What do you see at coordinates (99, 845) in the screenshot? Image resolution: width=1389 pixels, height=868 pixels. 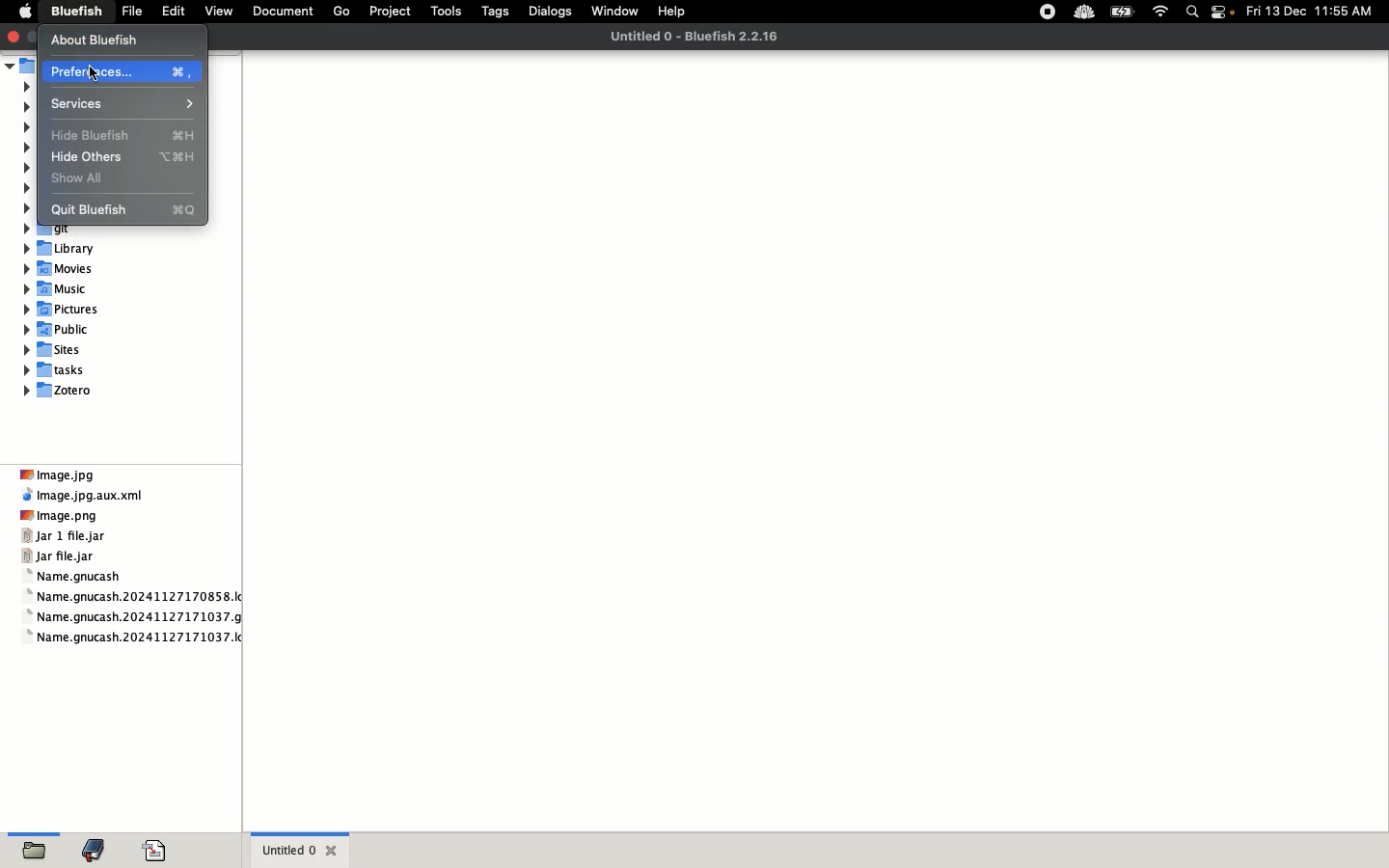 I see `library` at bounding box center [99, 845].